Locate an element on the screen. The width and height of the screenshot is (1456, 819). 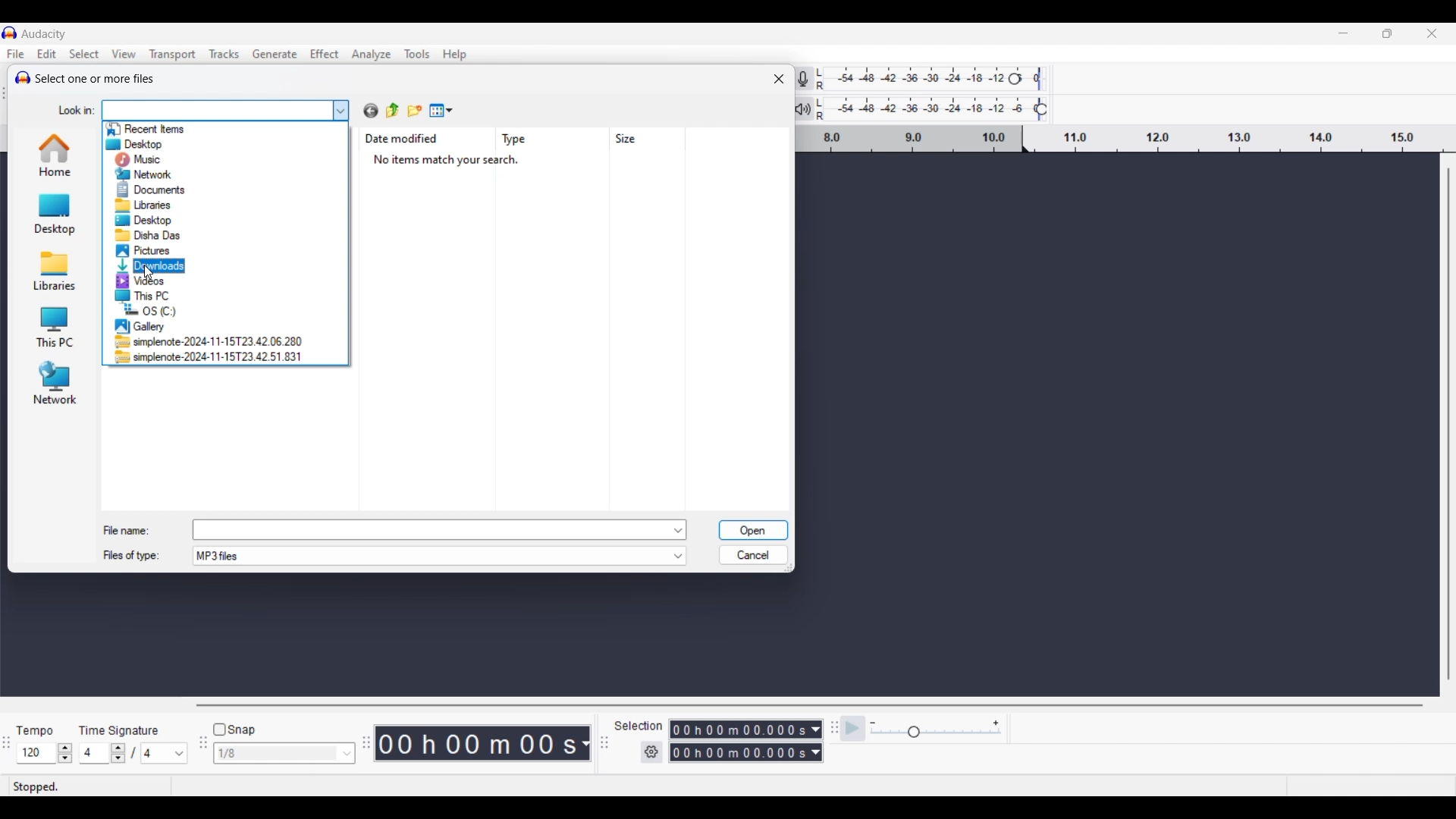
(MP3.files) Selected file format is located at coordinates (430, 557).